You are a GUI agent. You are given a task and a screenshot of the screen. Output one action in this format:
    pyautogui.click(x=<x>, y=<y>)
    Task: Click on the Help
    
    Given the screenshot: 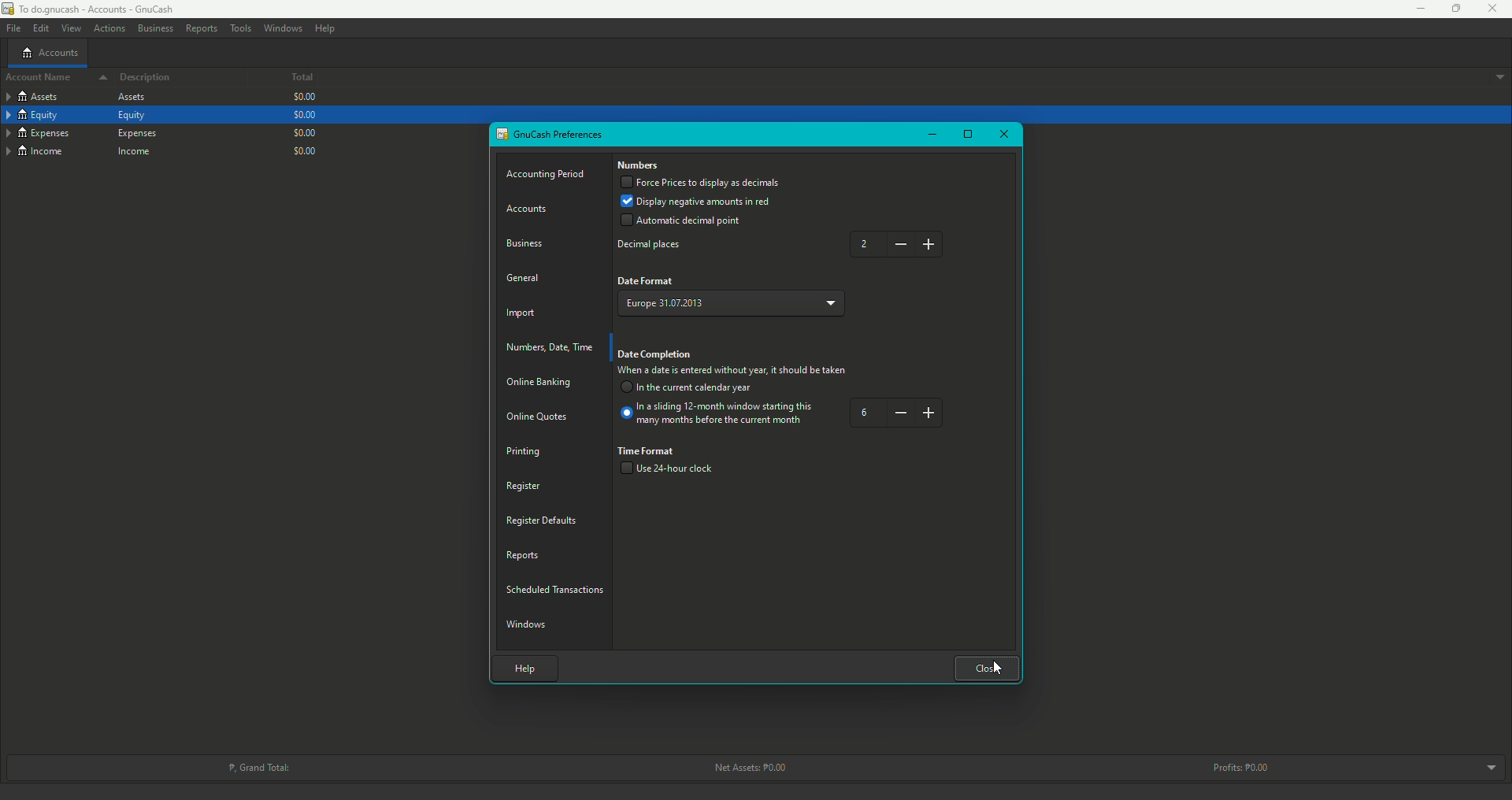 What is the action you would take?
    pyautogui.click(x=521, y=666)
    